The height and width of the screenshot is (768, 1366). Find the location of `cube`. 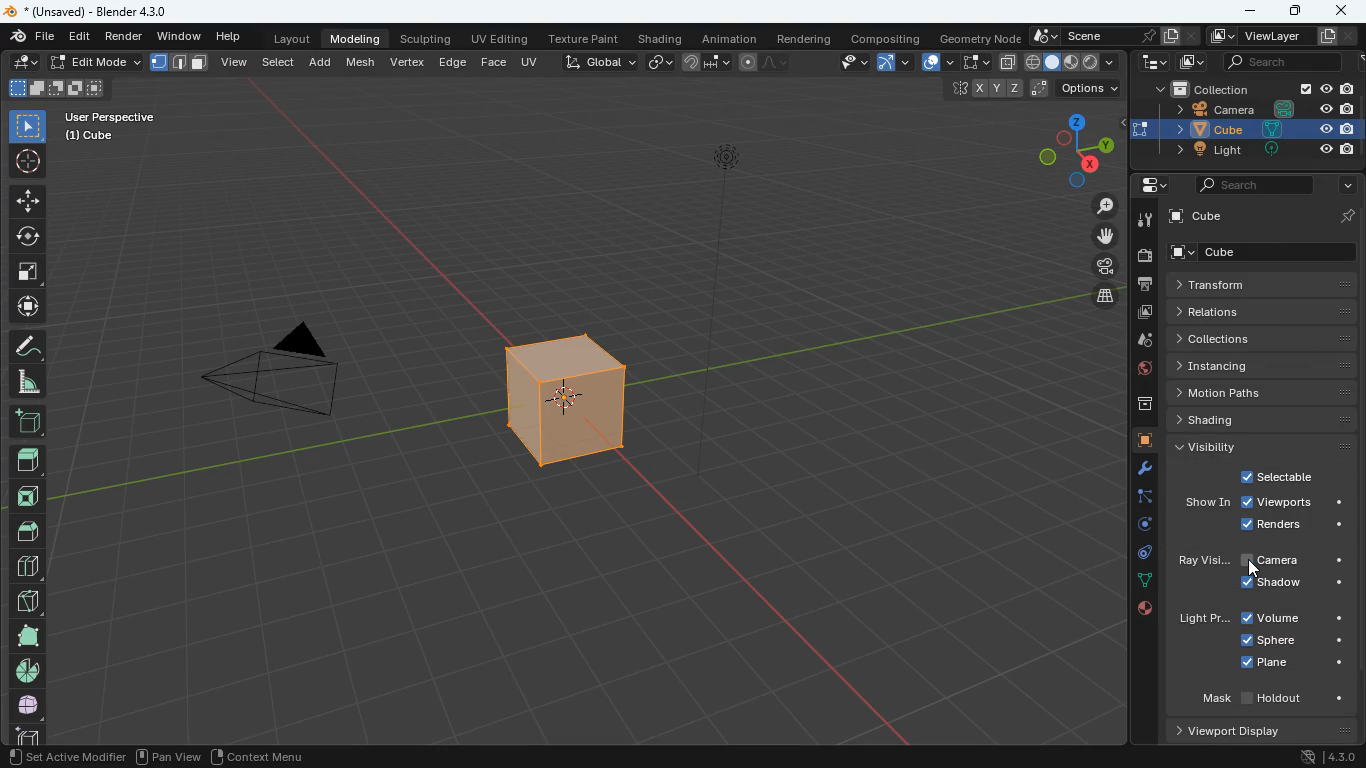

cube is located at coordinates (1139, 441).